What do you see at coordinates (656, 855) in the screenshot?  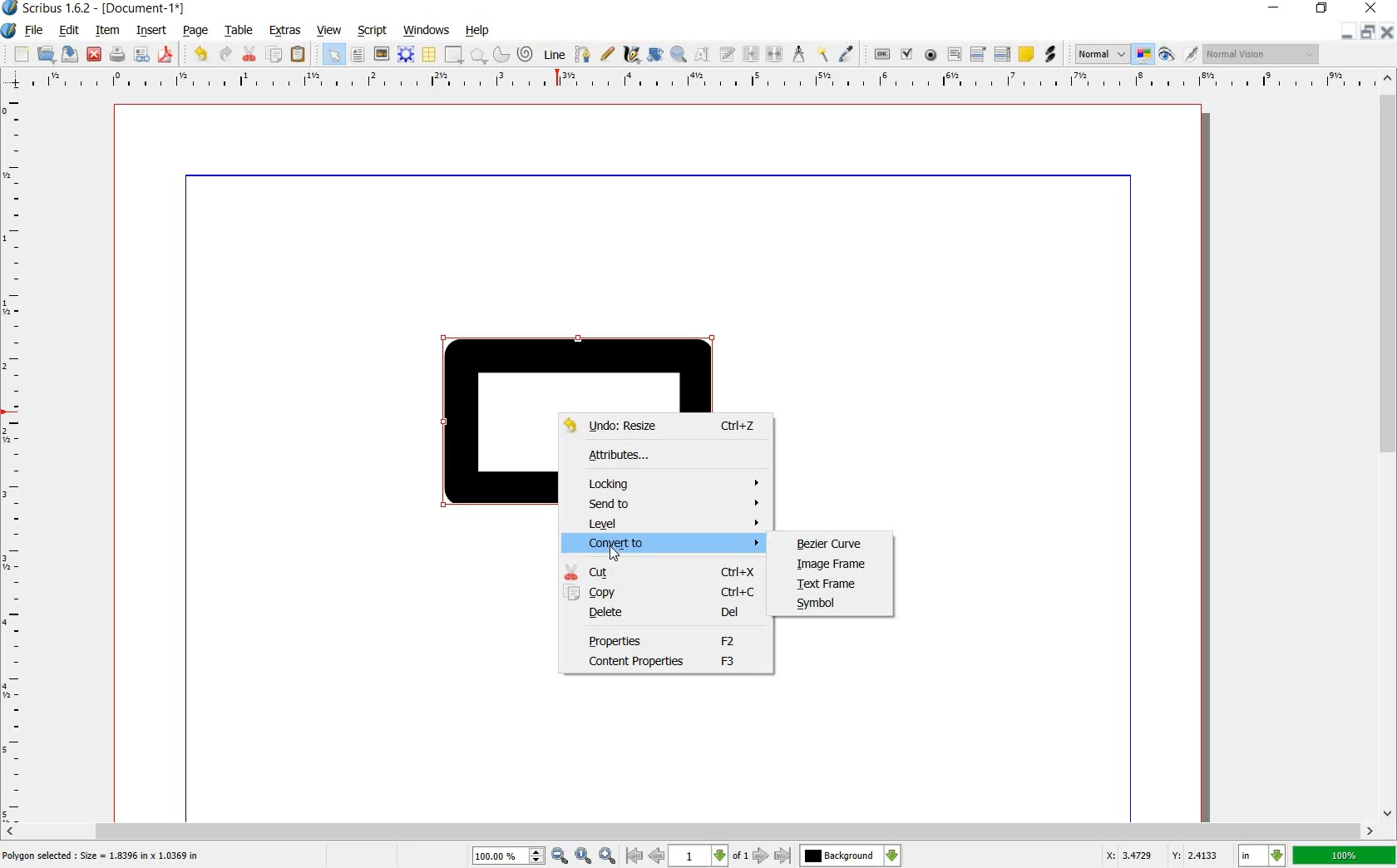 I see `go to previous page` at bounding box center [656, 855].